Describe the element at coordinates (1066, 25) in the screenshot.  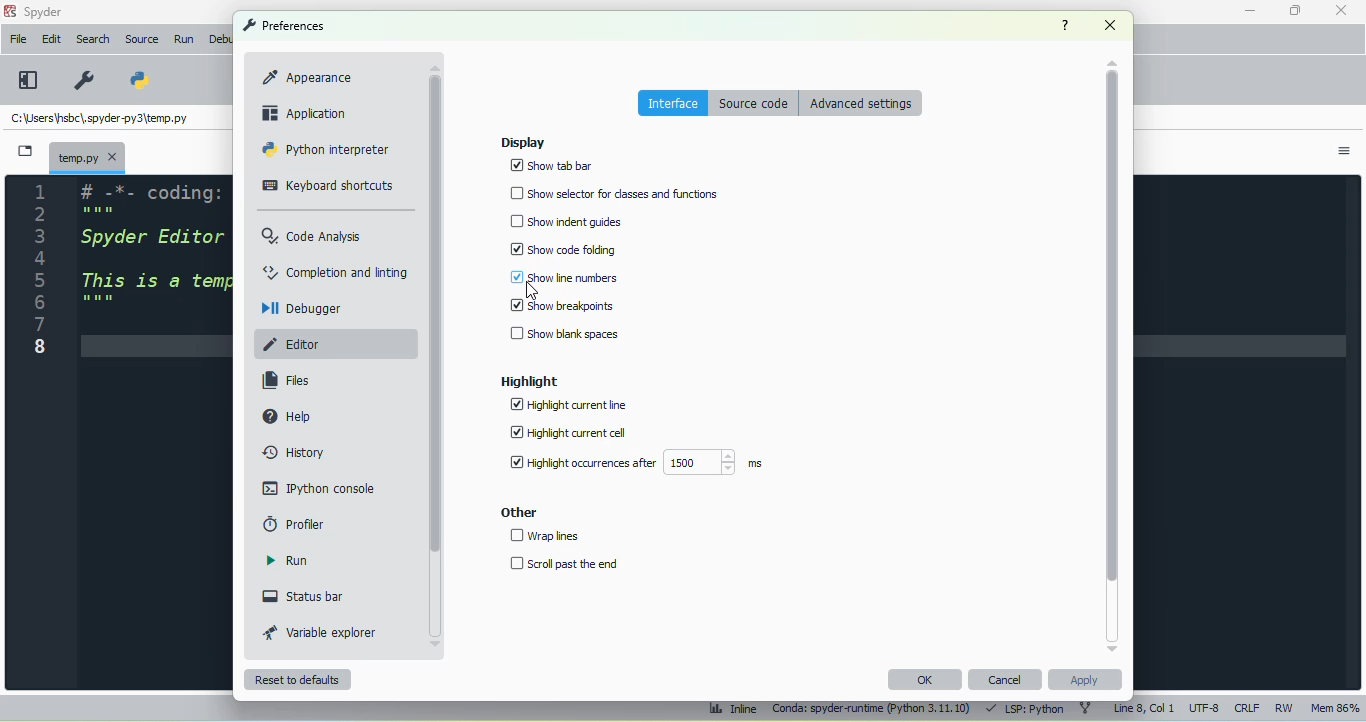
I see `help` at that location.